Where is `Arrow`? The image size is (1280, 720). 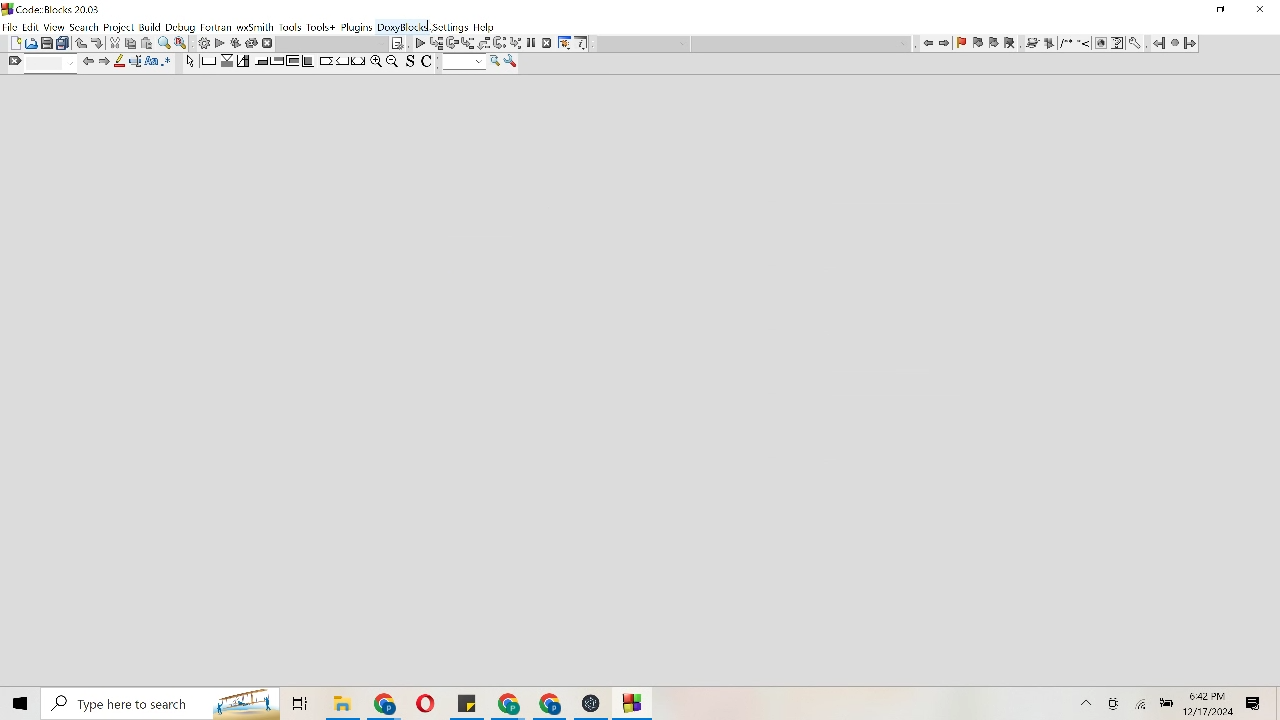 Arrow is located at coordinates (189, 63).